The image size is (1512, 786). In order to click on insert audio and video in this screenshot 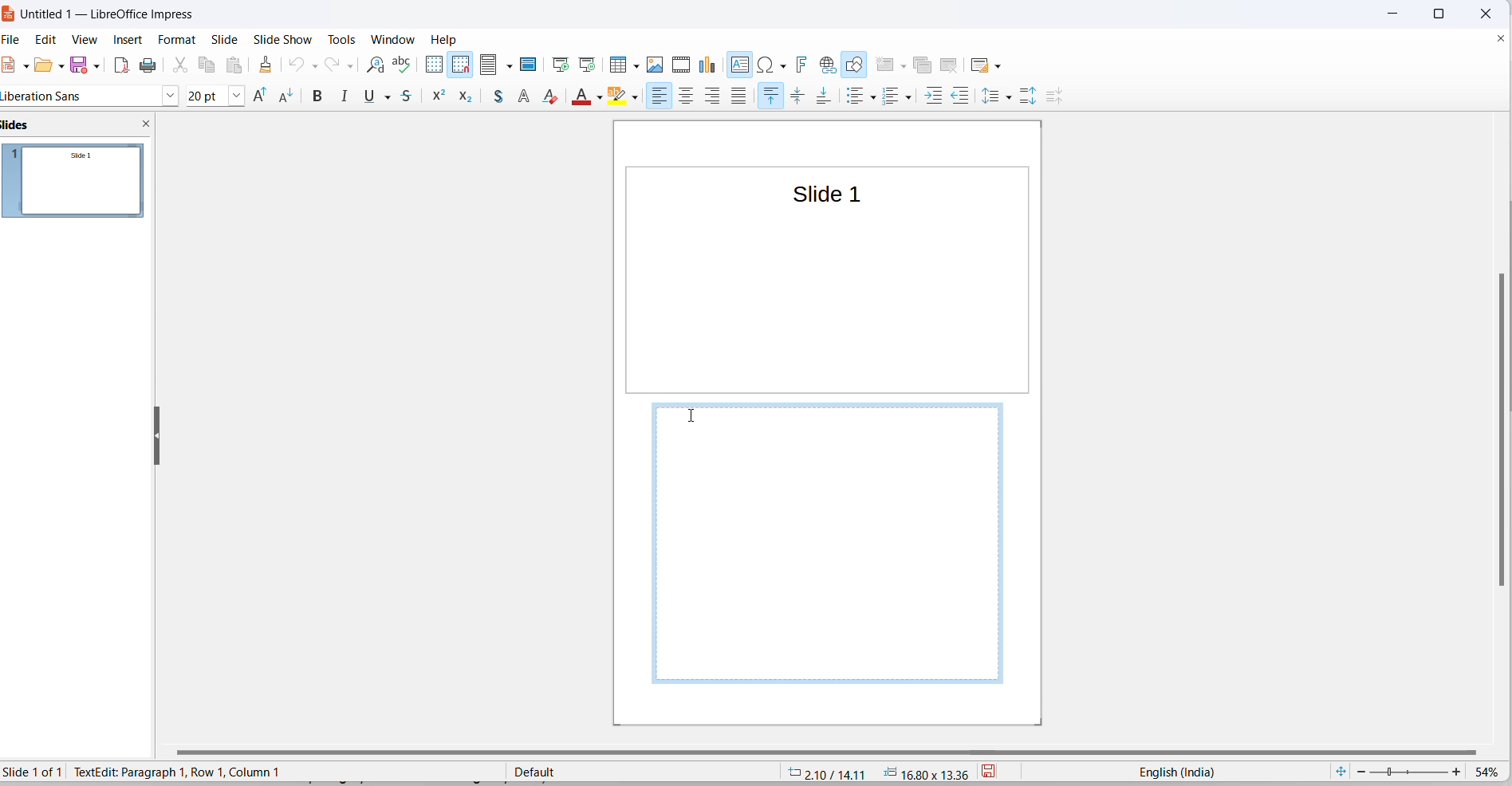, I will do `click(682, 64)`.